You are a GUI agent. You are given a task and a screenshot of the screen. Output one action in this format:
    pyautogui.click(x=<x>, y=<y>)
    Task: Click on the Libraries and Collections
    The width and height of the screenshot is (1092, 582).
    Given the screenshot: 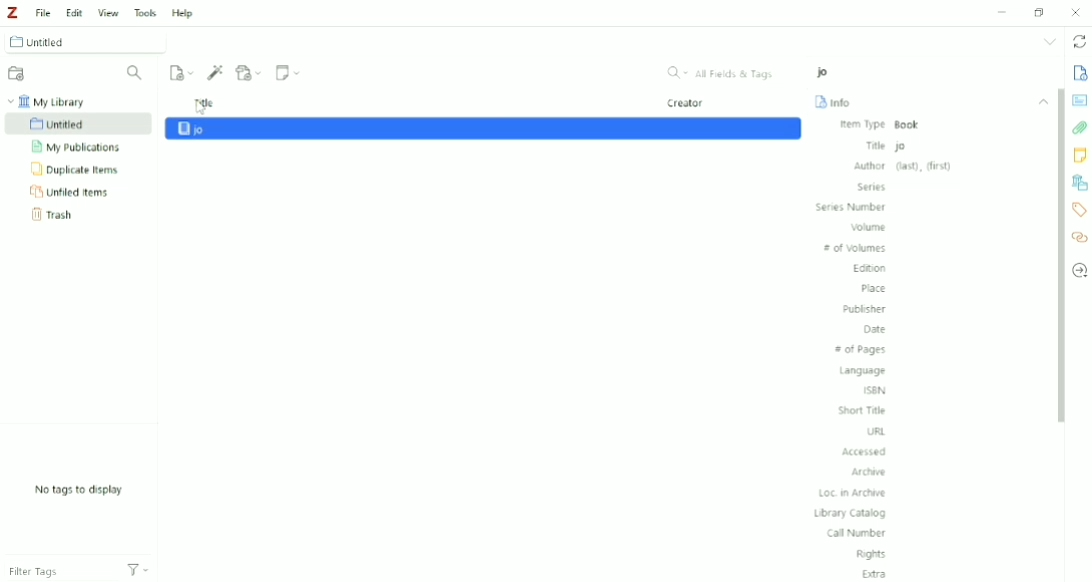 What is the action you would take?
    pyautogui.click(x=1079, y=182)
    